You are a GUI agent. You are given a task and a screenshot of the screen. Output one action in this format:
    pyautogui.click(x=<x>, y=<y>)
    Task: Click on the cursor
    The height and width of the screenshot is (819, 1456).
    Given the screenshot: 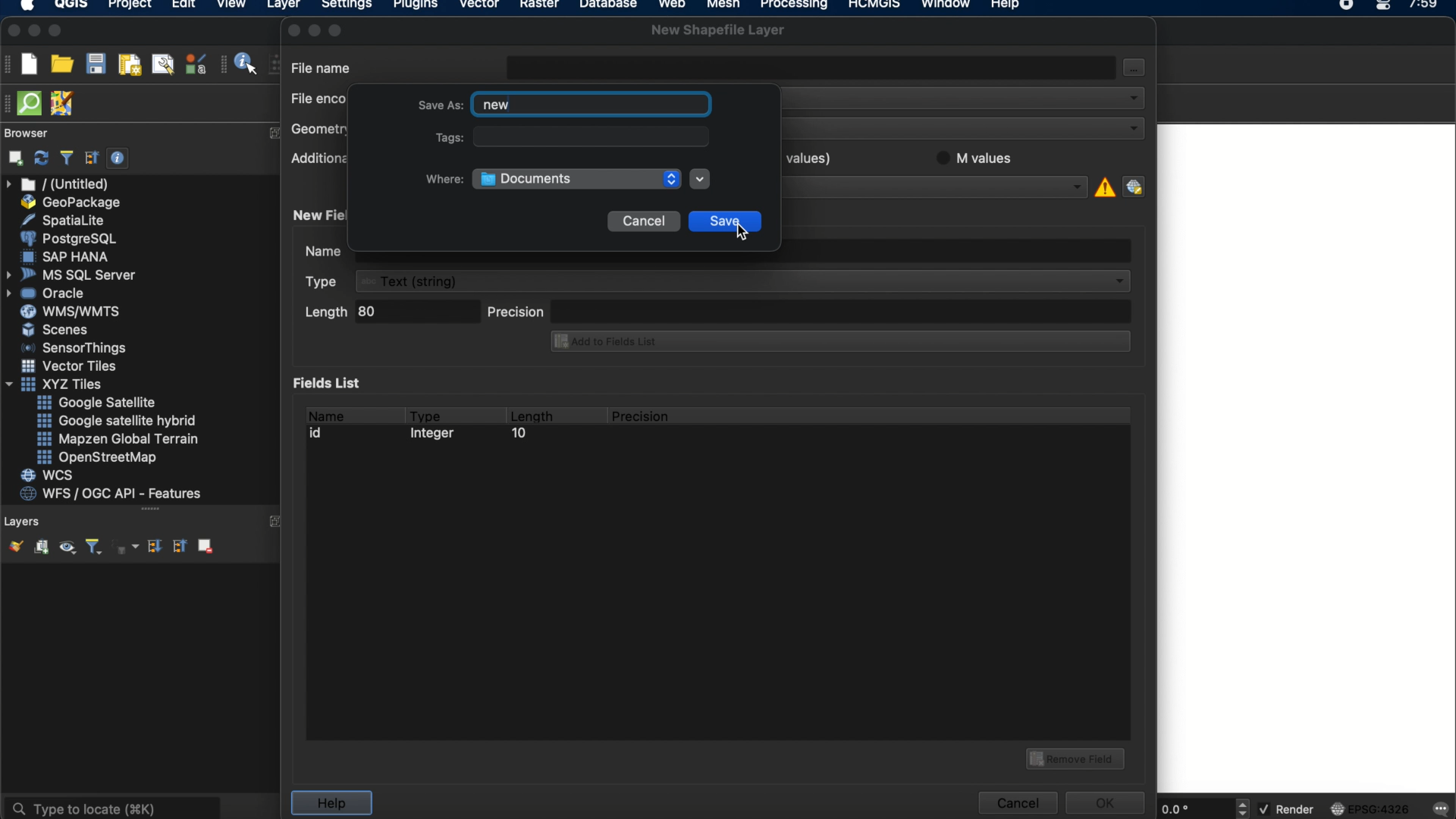 What is the action you would take?
    pyautogui.click(x=1137, y=74)
    